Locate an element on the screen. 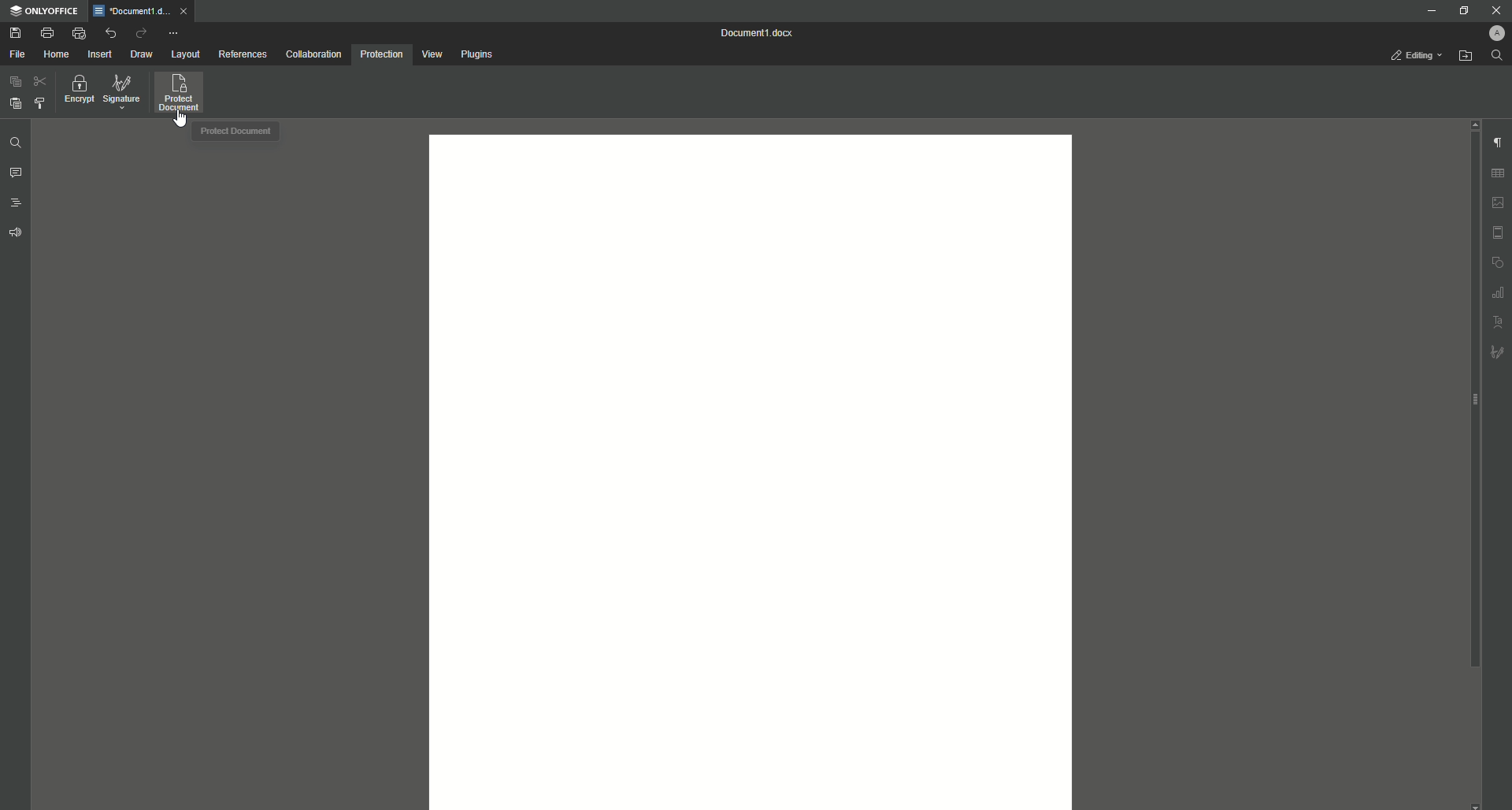 The width and height of the screenshot is (1512, 810). Save is located at coordinates (13, 32).